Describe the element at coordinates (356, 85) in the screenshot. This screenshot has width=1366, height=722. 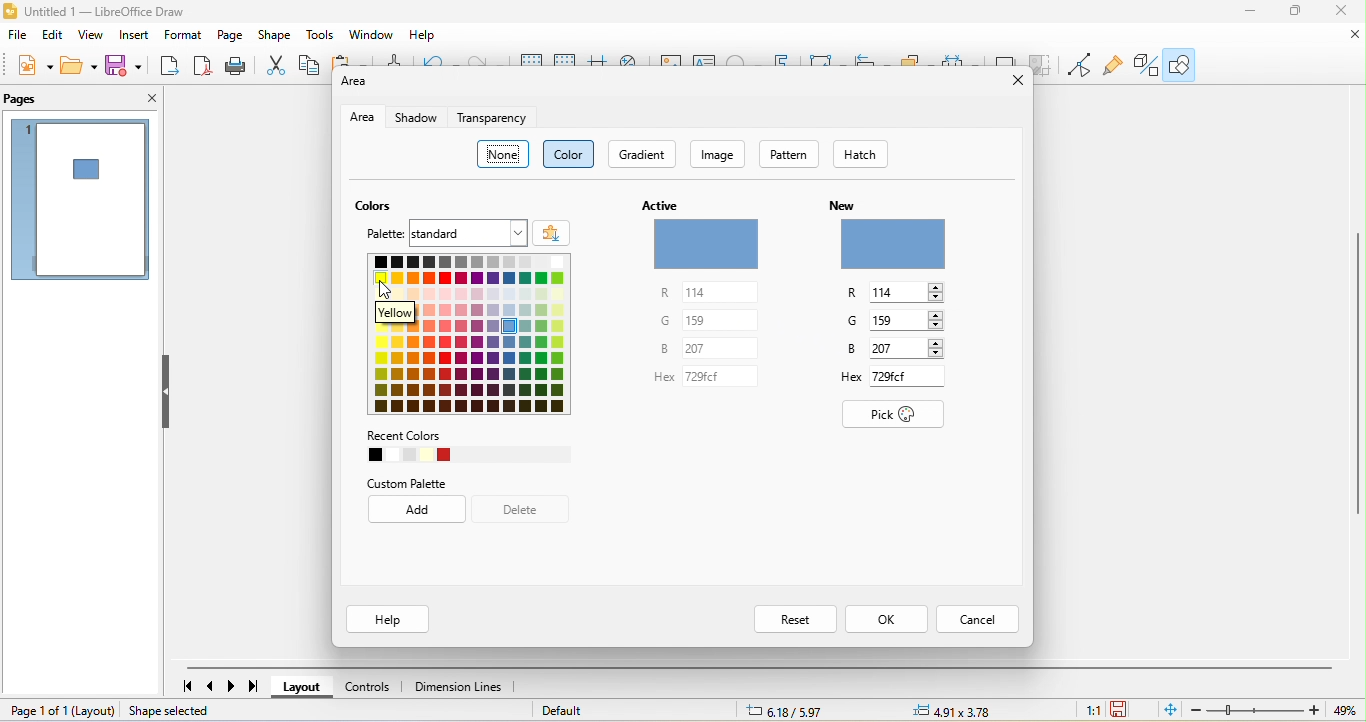
I see `area` at that location.